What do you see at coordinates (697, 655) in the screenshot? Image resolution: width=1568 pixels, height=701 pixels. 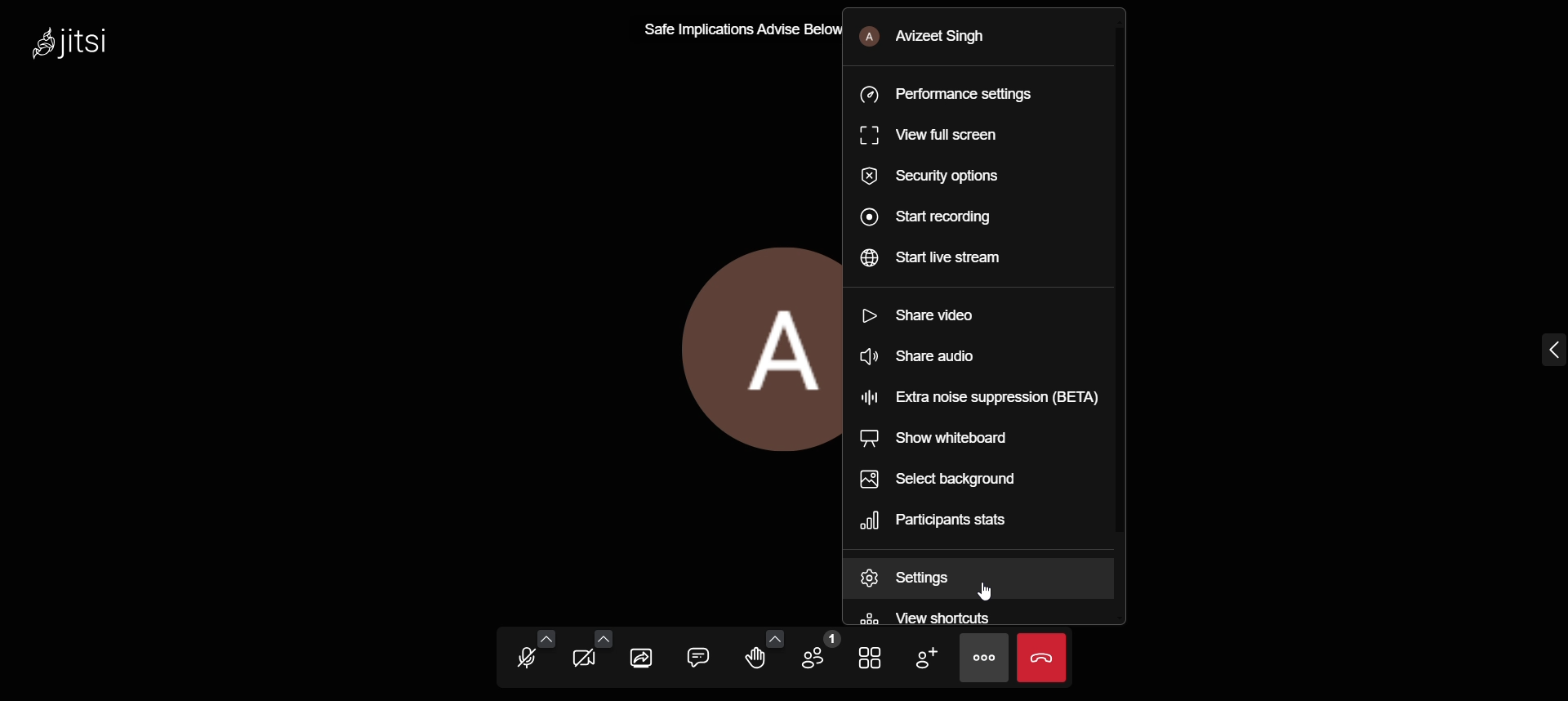 I see `open chat` at bounding box center [697, 655].